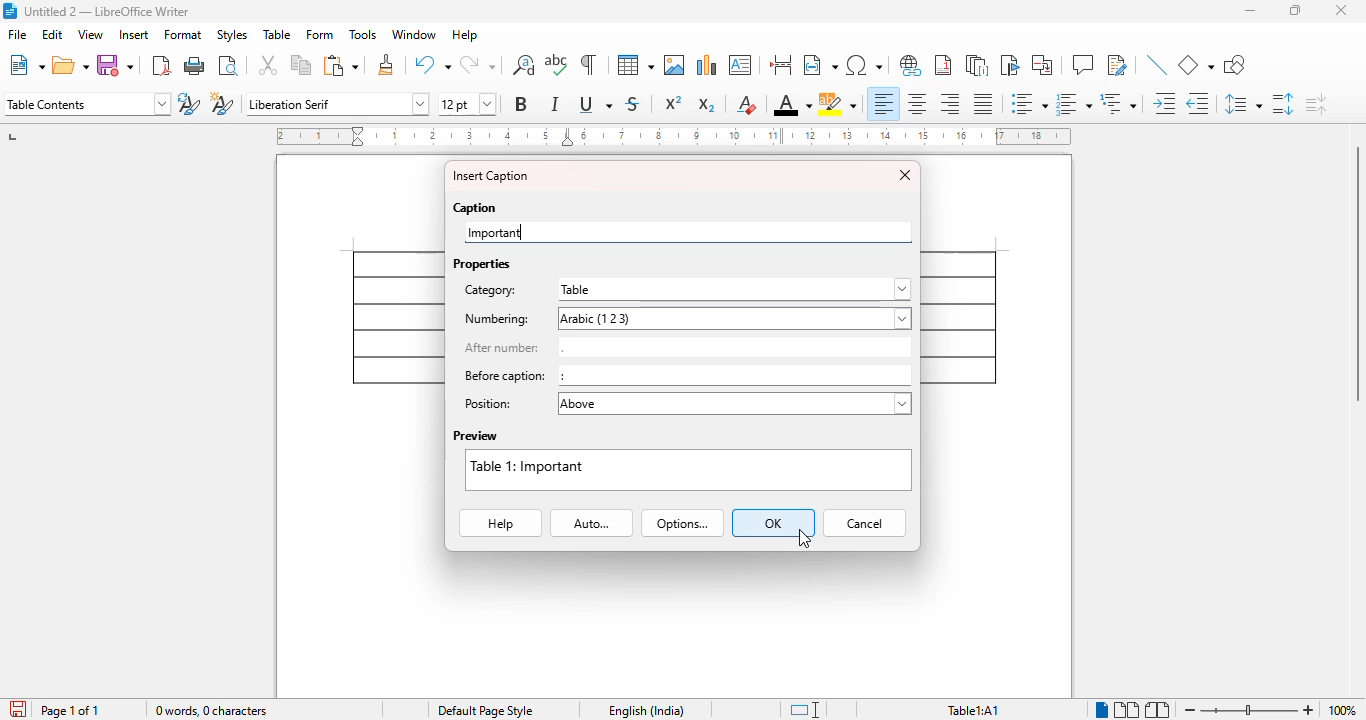 The height and width of the screenshot is (720, 1366). I want to click on spelling, so click(556, 64).